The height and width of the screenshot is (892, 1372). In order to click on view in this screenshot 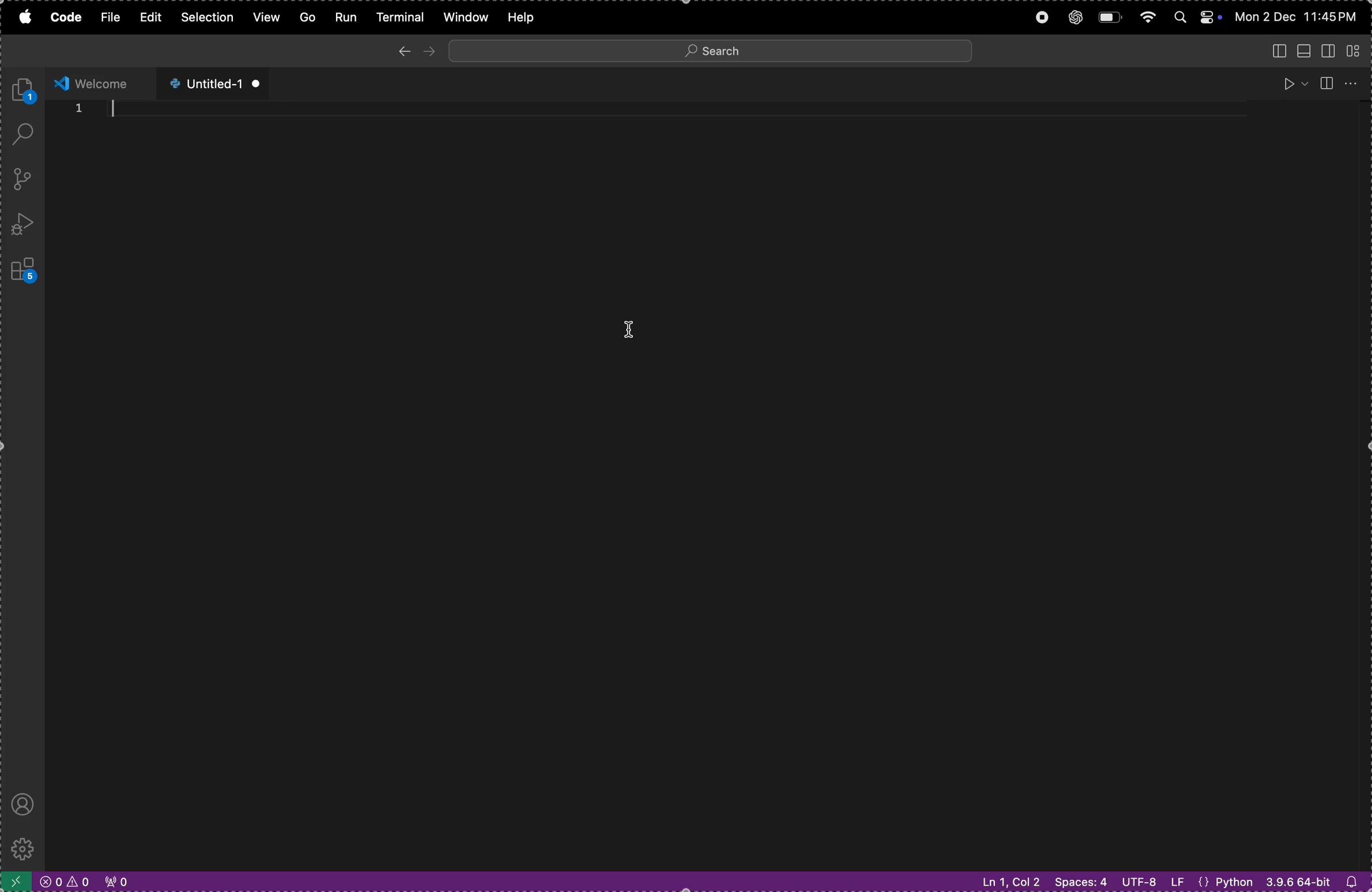, I will do `click(265, 17)`.